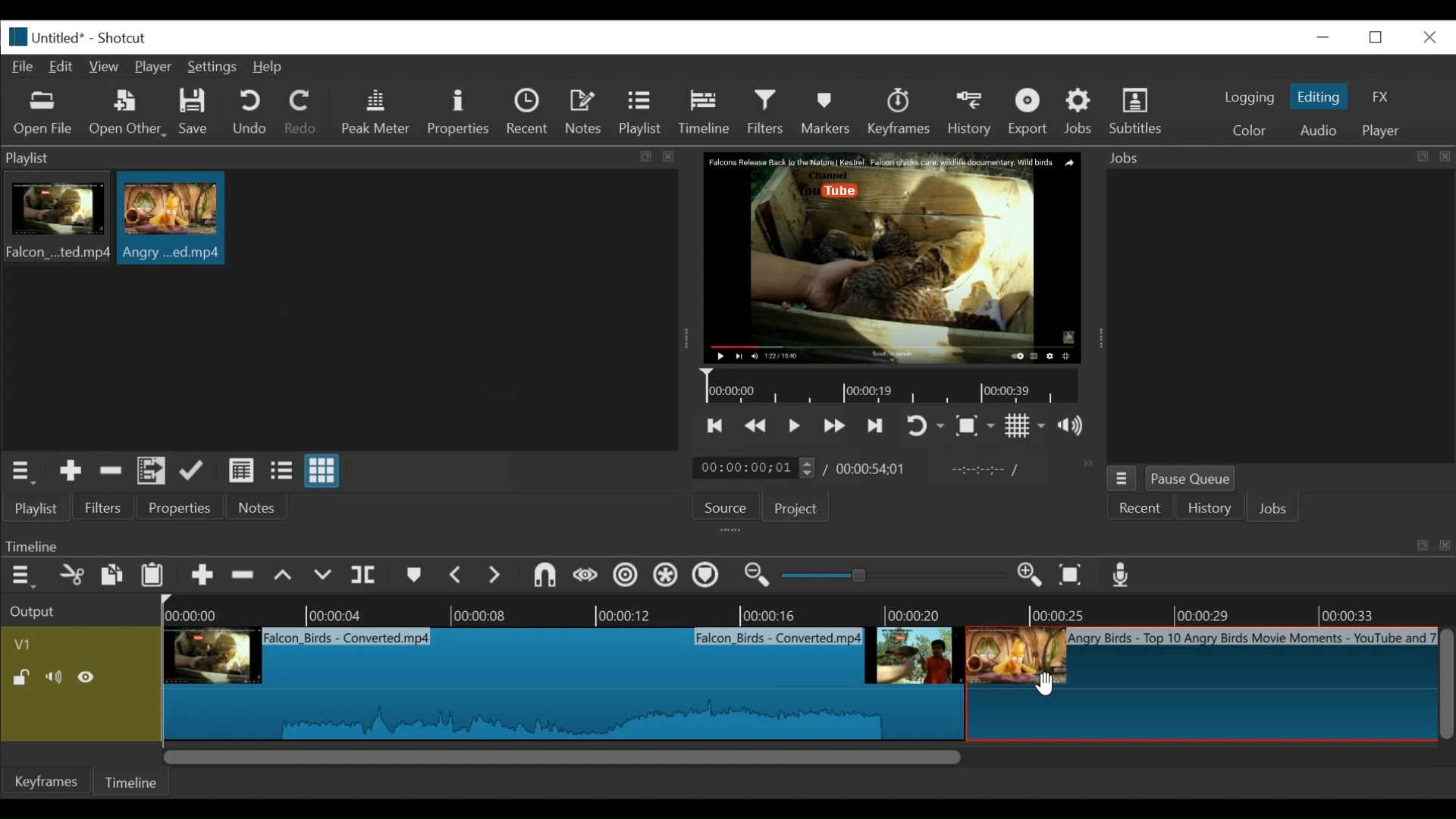 The width and height of the screenshot is (1456, 819). What do you see at coordinates (71, 576) in the screenshot?
I see `cut` at bounding box center [71, 576].